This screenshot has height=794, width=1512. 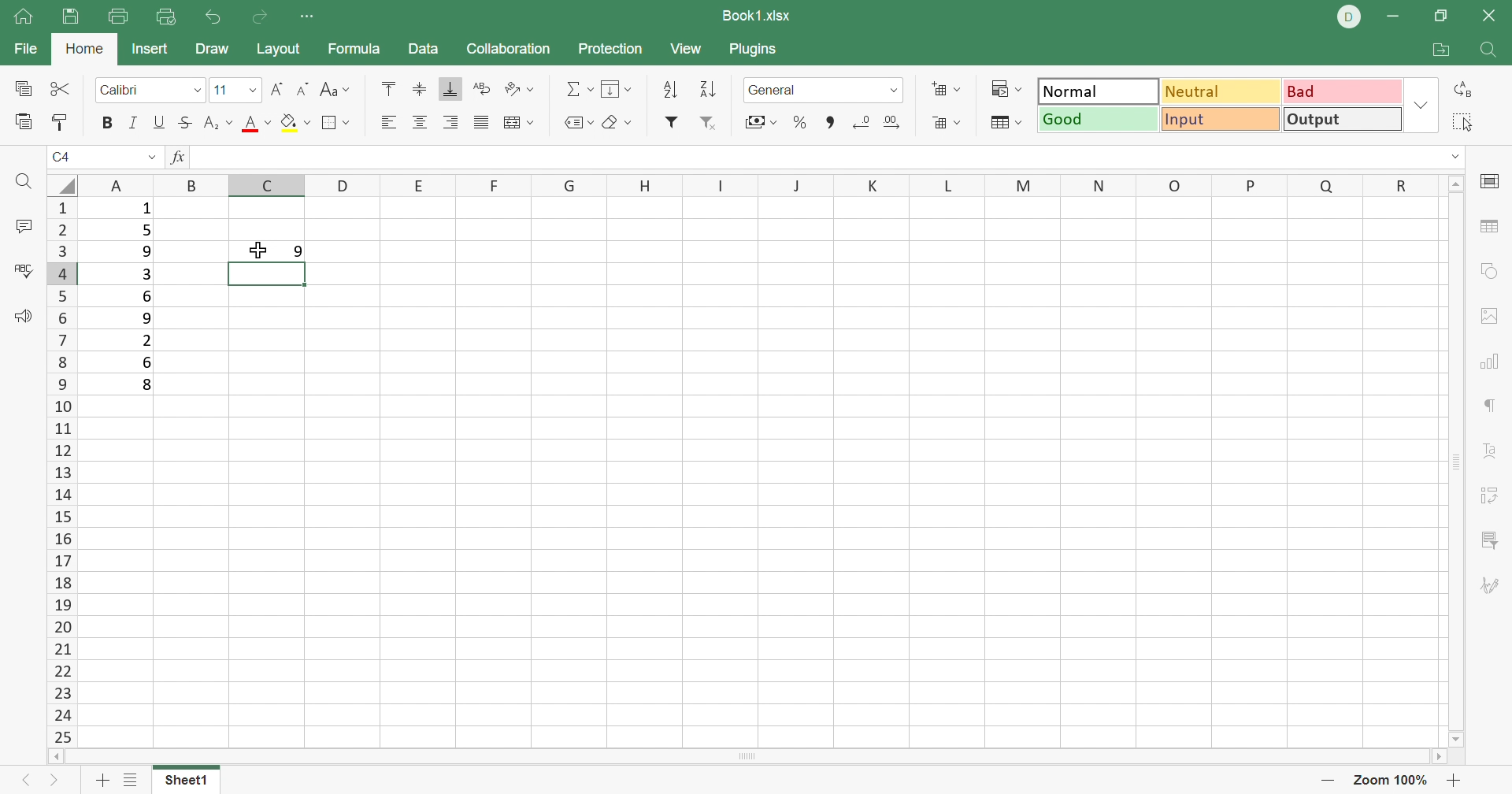 I want to click on Good, so click(x=1097, y=120).